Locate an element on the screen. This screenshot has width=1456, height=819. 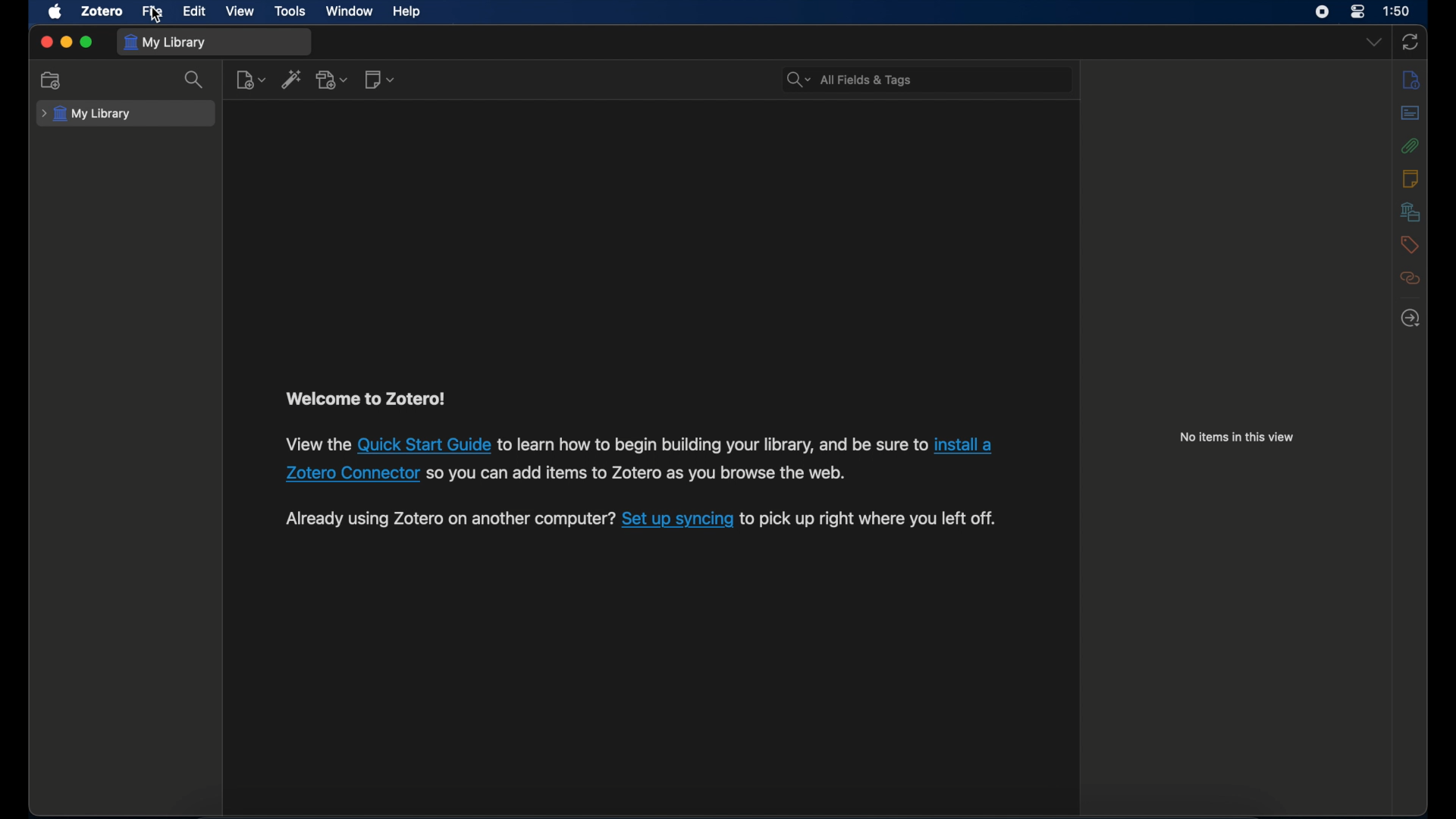
welcome to zotero is located at coordinates (364, 398).